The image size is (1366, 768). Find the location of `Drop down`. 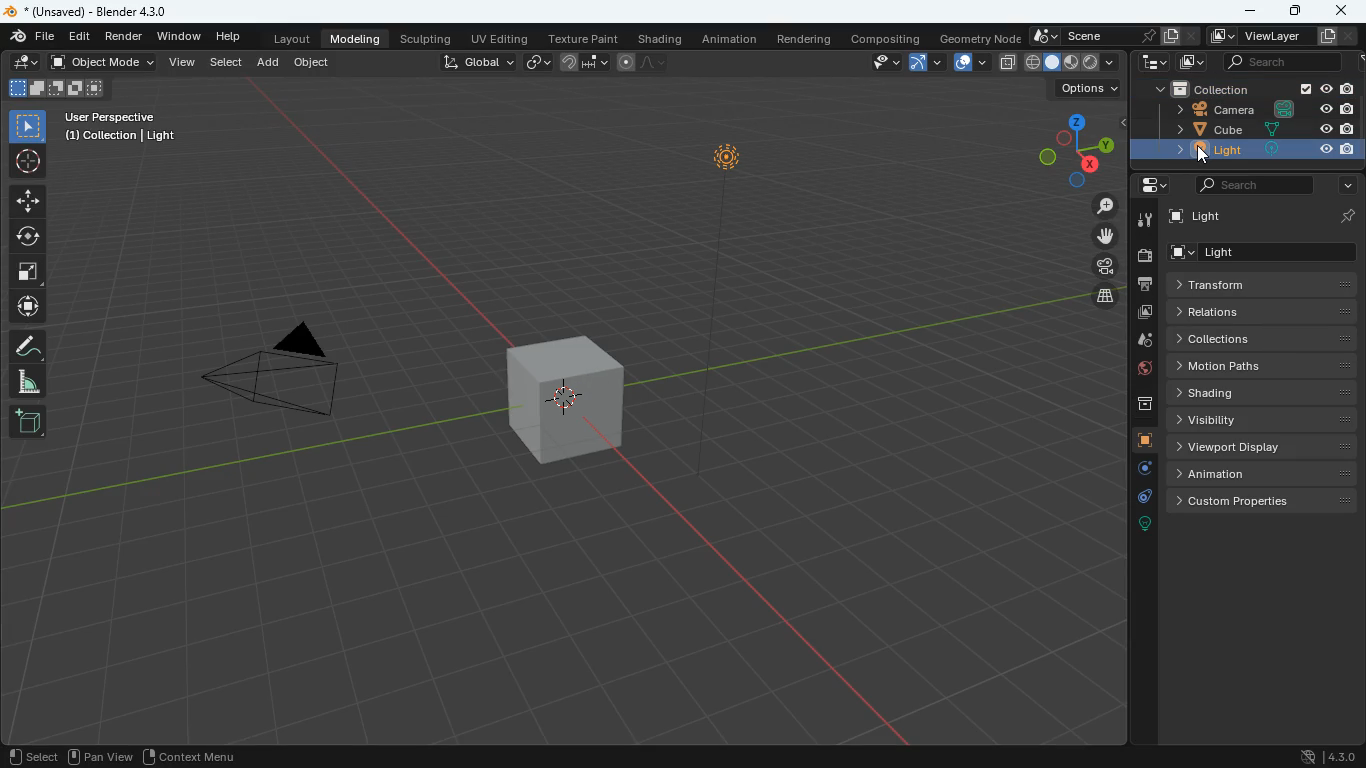

Drop down is located at coordinates (1111, 61).